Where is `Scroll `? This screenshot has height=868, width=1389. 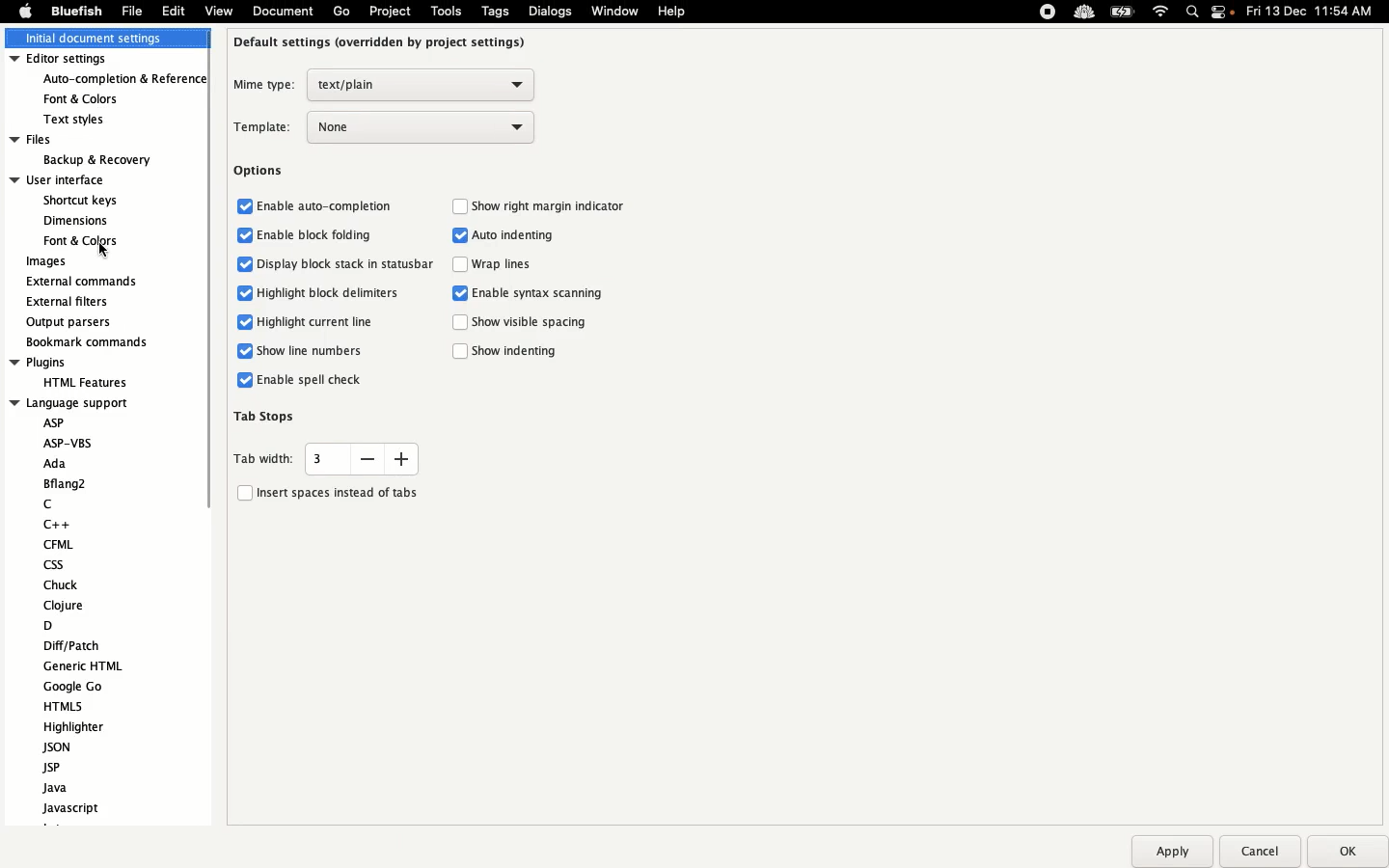
Scroll  is located at coordinates (204, 322).